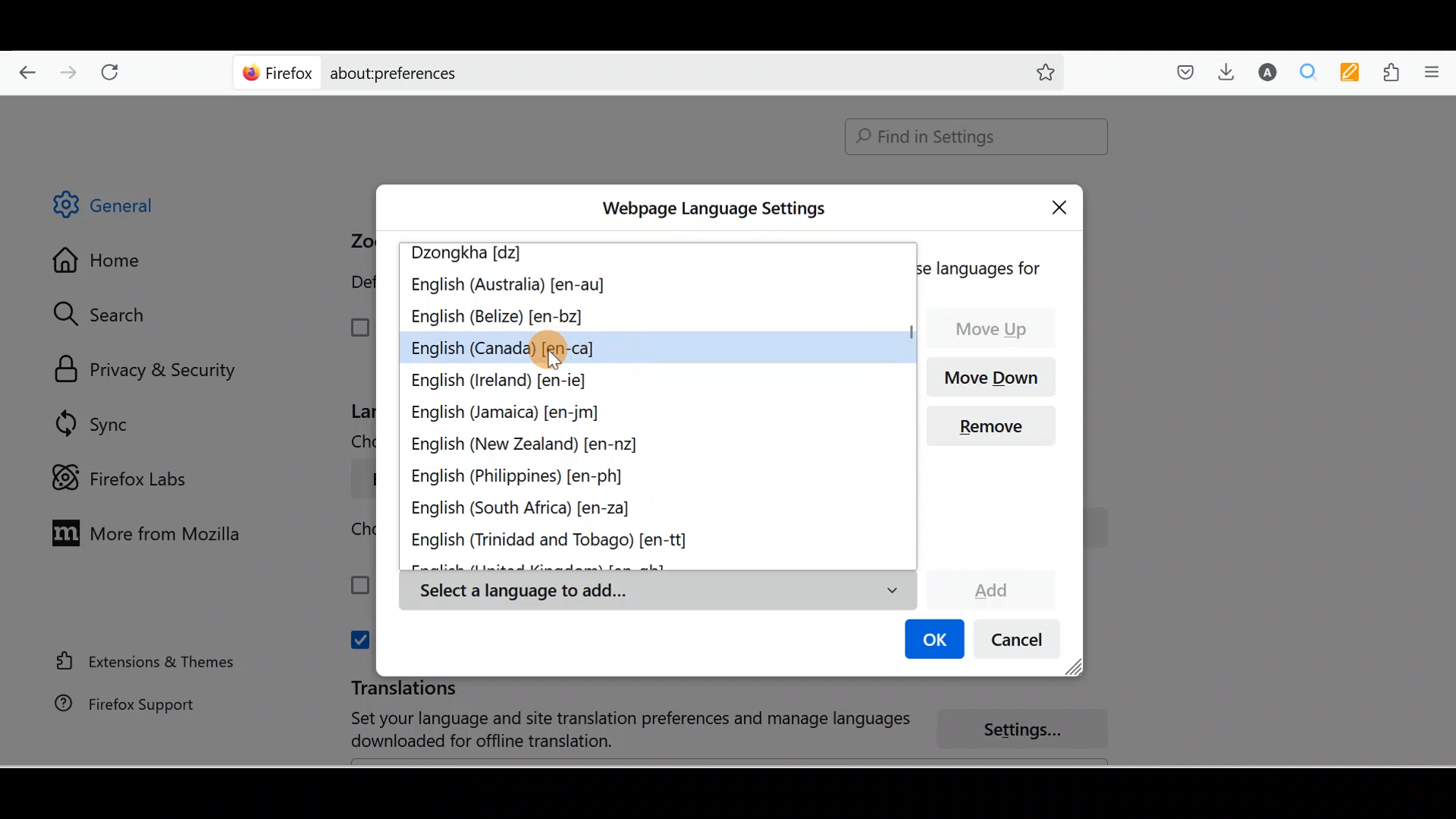 Image resolution: width=1456 pixels, height=819 pixels. Describe the element at coordinates (605, 71) in the screenshot. I see `about:preferences` at that location.